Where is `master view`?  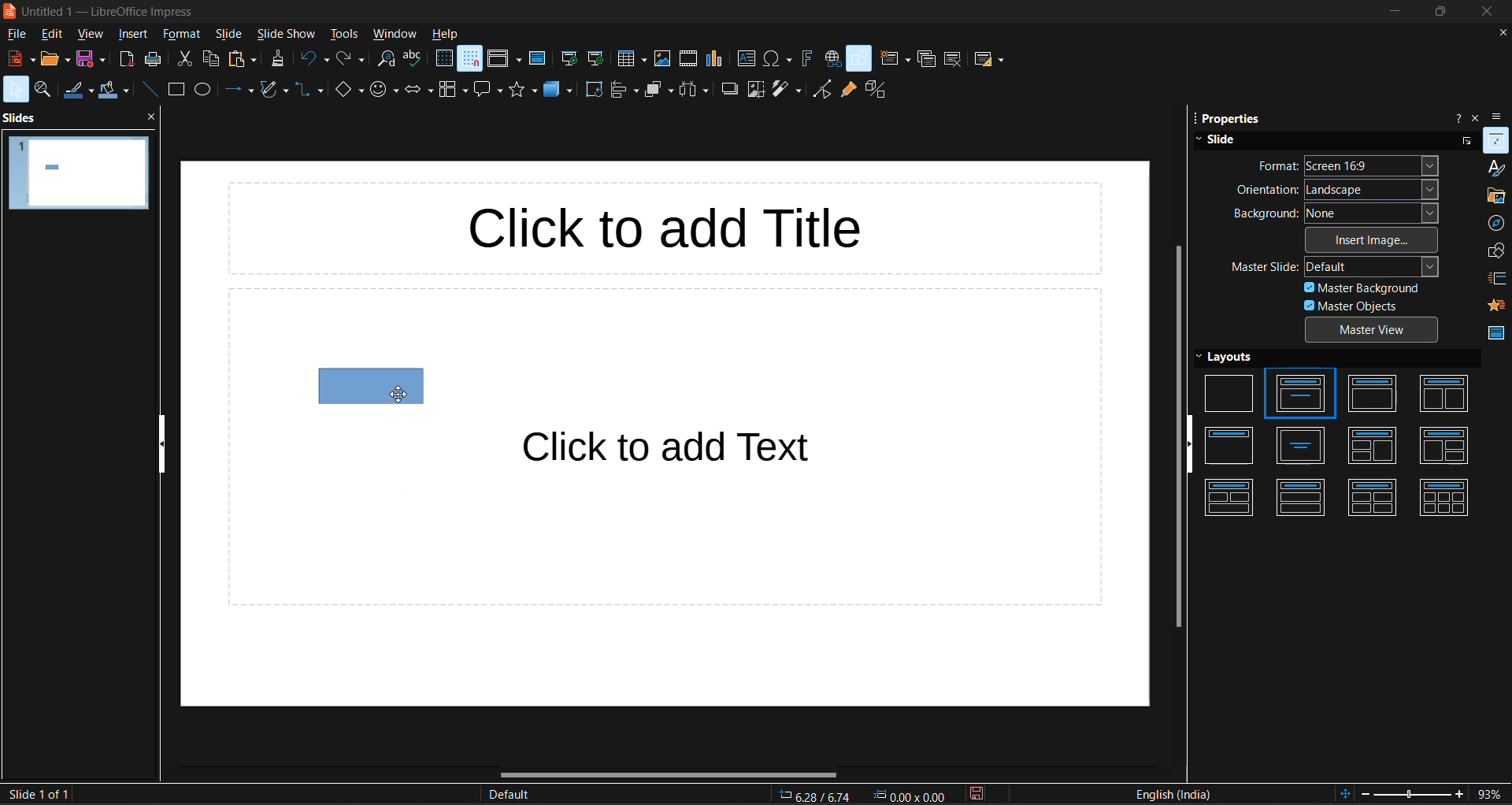 master view is located at coordinates (1373, 329).